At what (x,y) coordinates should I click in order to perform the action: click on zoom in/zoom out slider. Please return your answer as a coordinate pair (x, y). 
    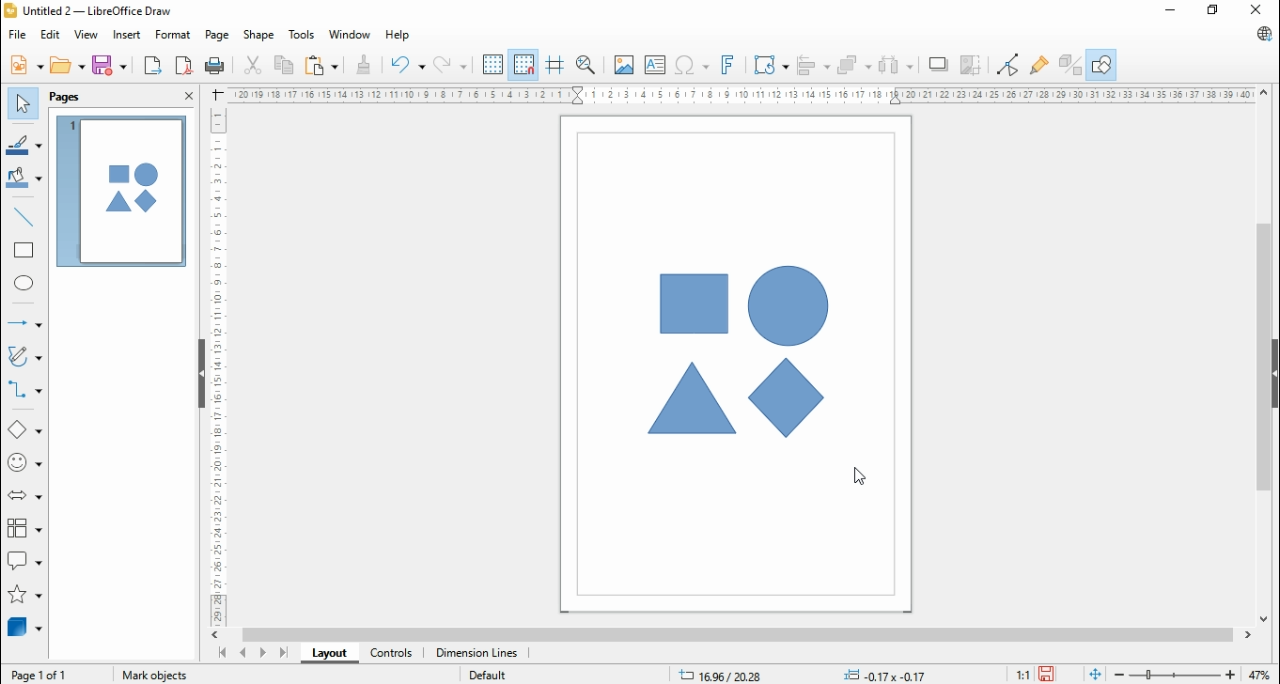
    Looking at the image, I should click on (1174, 674).